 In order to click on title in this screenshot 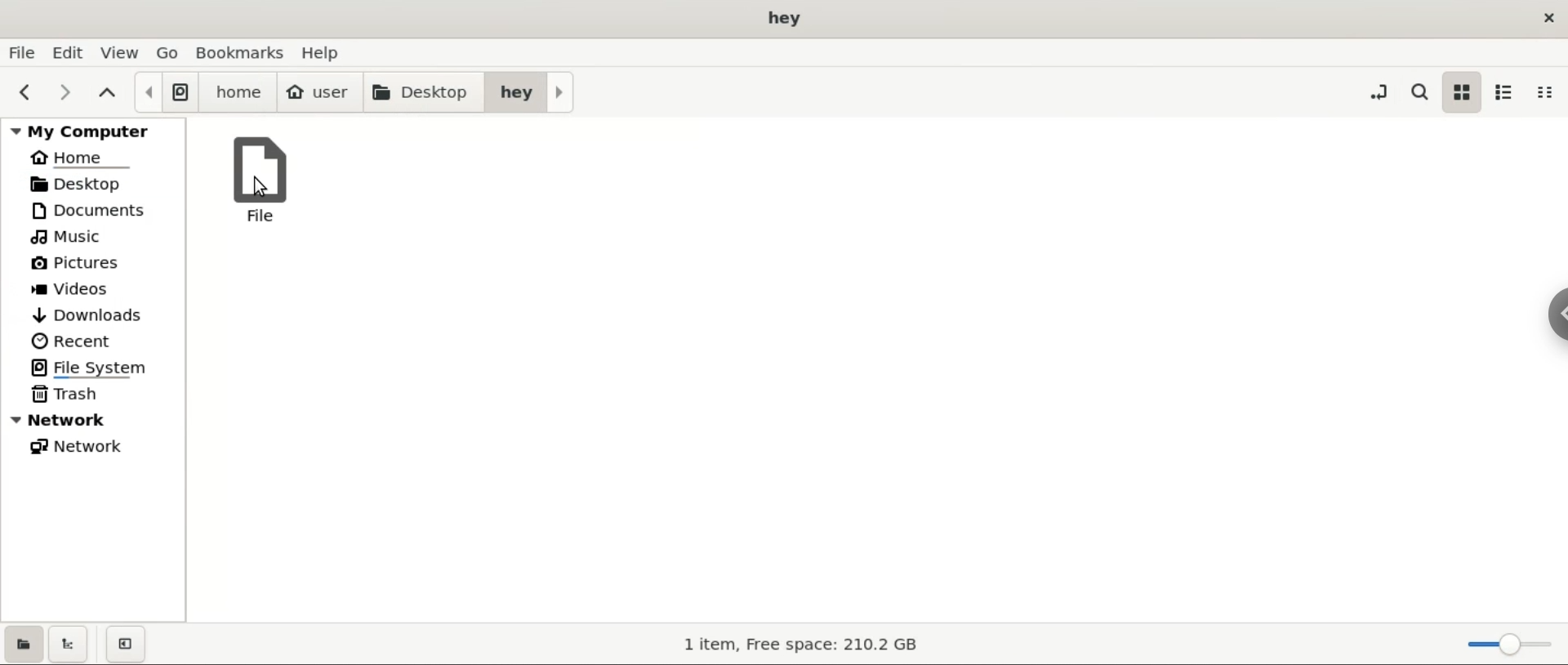, I will do `click(781, 16)`.